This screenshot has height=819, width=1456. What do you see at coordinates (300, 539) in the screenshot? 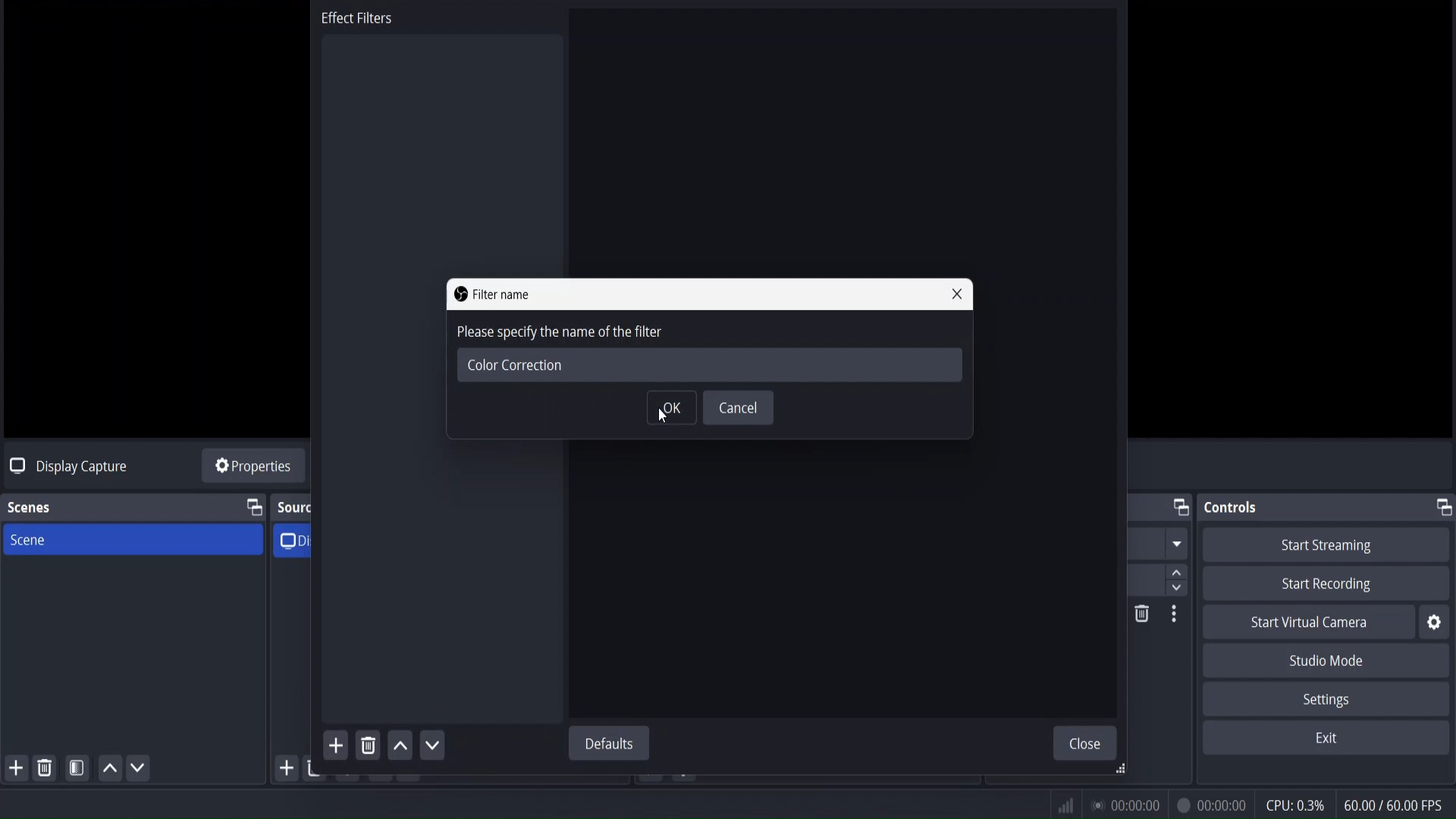
I see `display capture` at bounding box center [300, 539].